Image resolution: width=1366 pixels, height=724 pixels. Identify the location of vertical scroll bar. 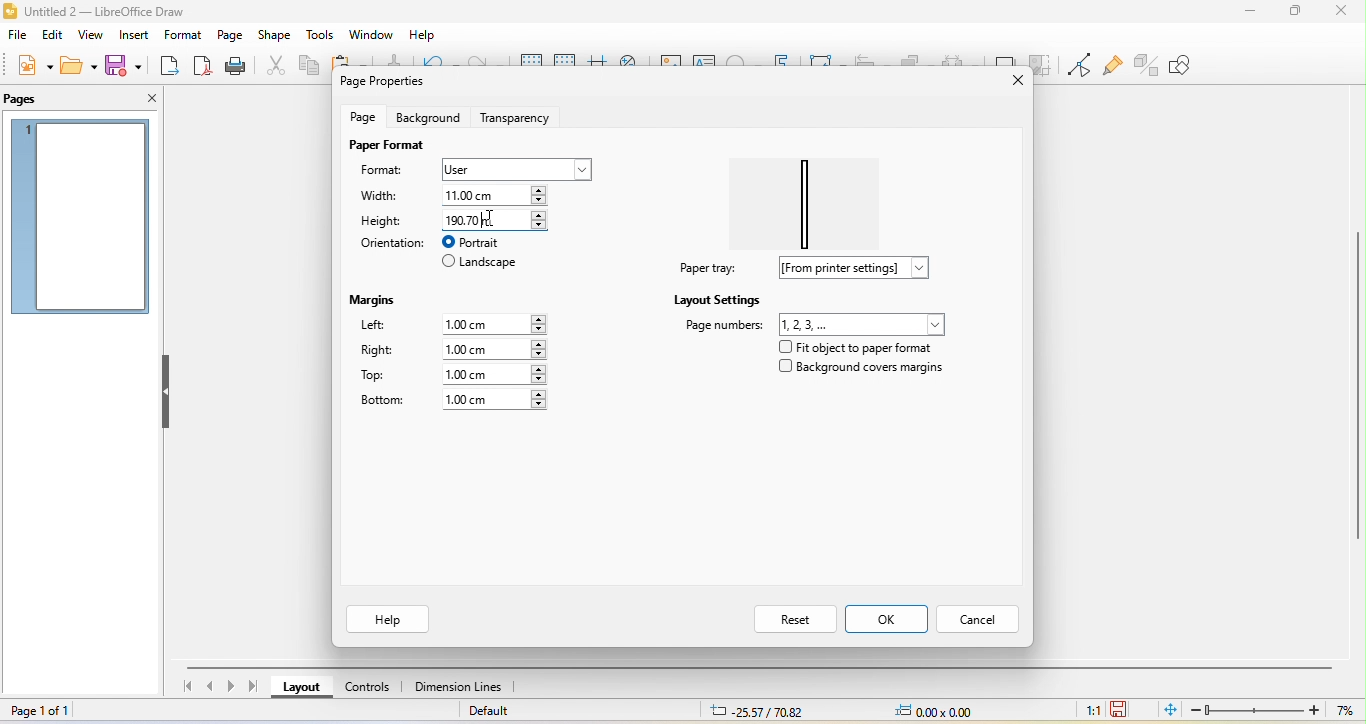
(1357, 380).